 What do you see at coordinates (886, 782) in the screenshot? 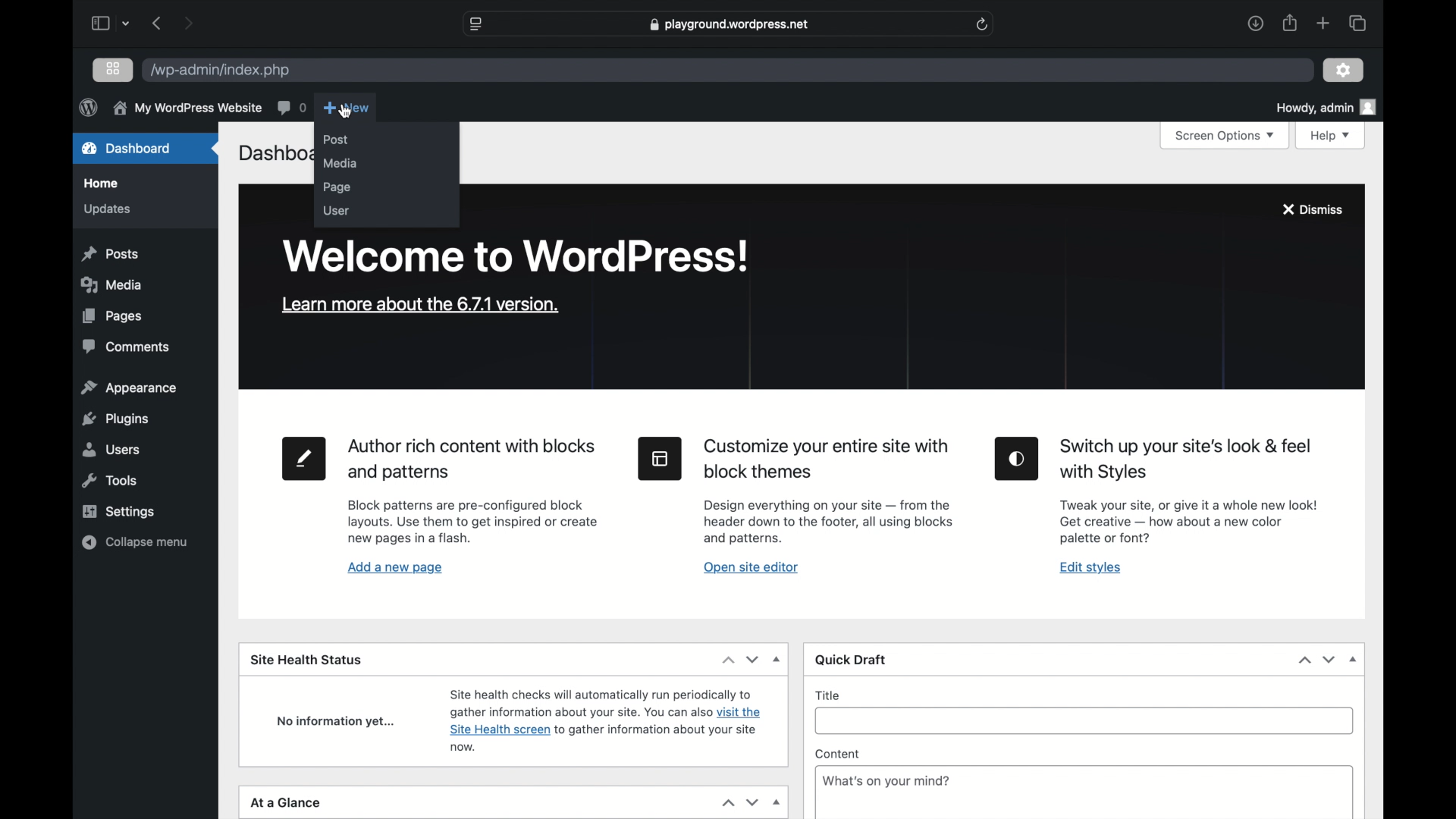
I see `what's on your mind?` at bounding box center [886, 782].